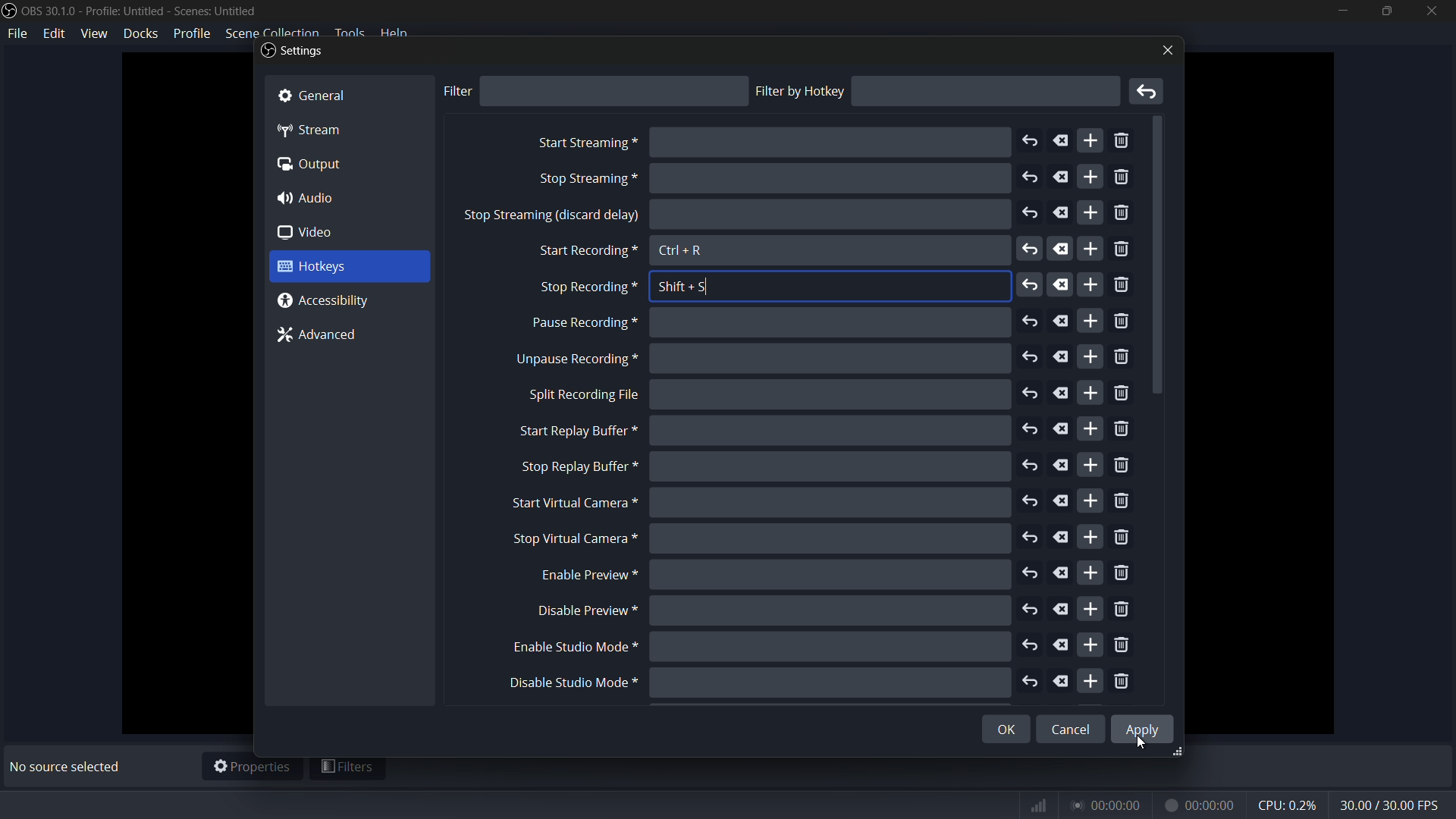  I want to click on delete, so click(1061, 537).